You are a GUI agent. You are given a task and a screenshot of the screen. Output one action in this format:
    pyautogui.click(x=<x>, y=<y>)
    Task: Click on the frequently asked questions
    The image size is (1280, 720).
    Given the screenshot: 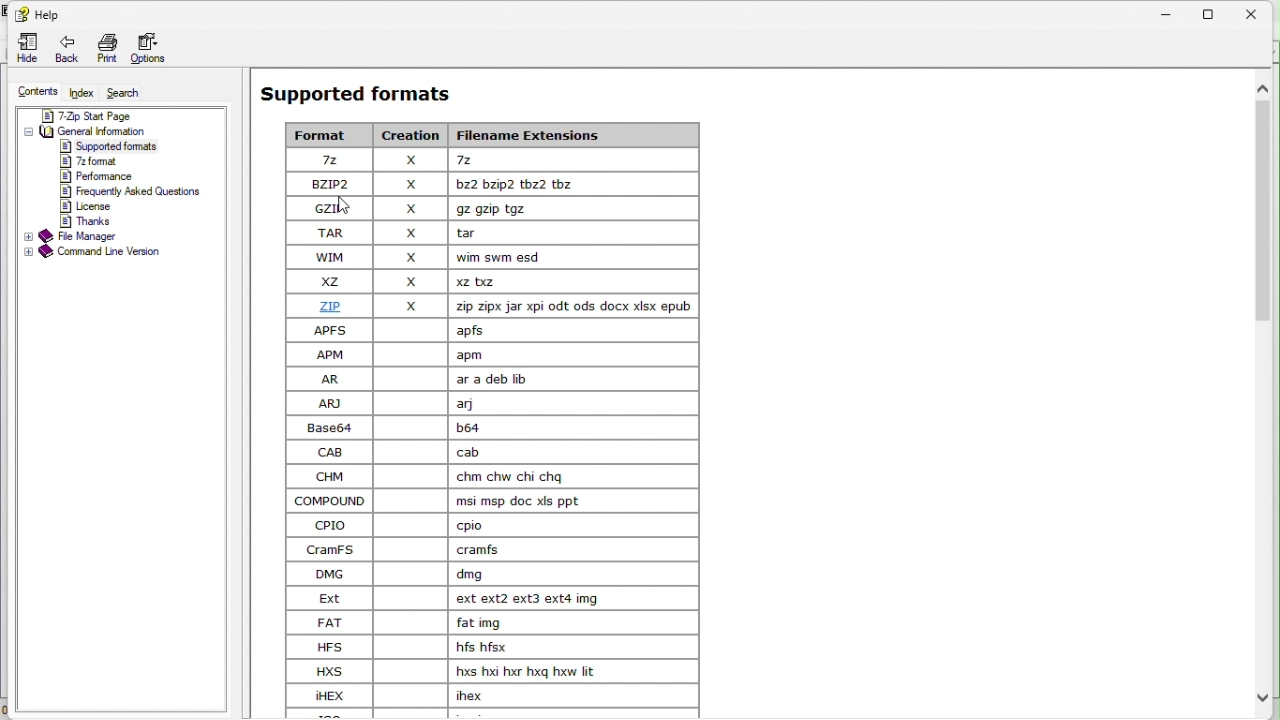 What is the action you would take?
    pyautogui.click(x=134, y=193)
    